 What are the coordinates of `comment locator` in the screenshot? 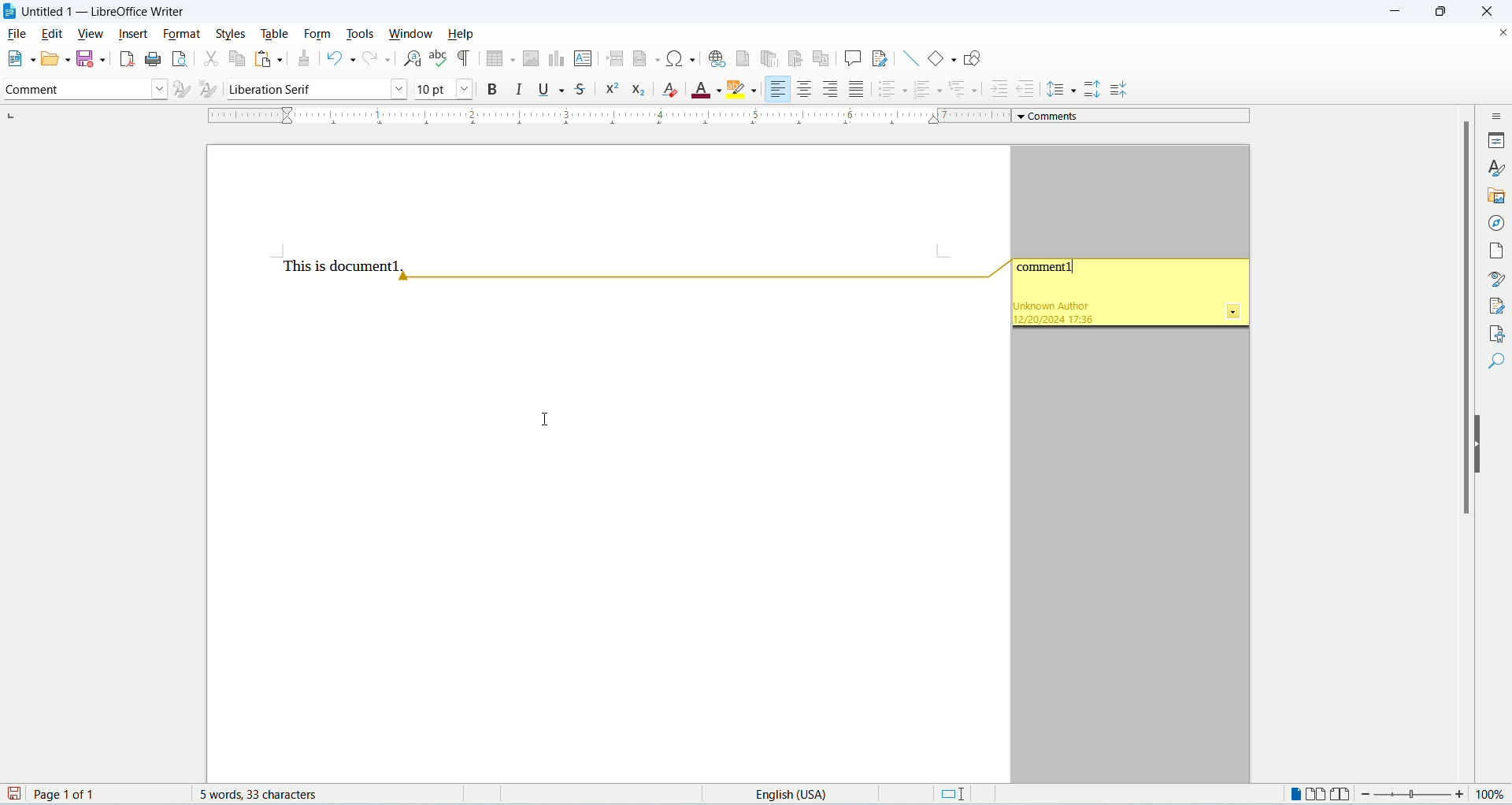 It's located at (701, 279).